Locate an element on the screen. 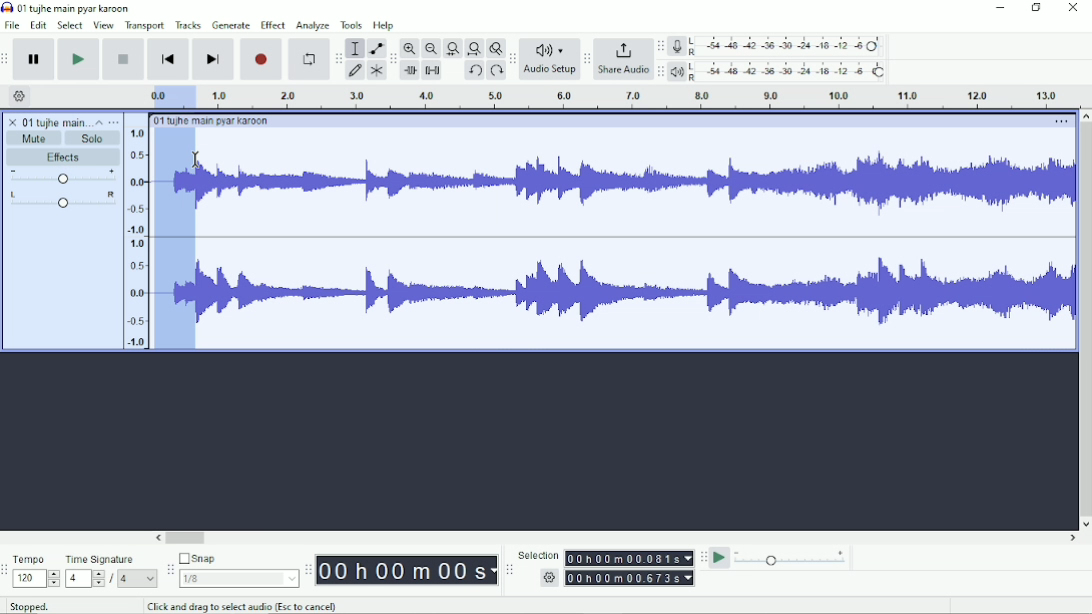  Setting logo is located at coordinates (20, 95).